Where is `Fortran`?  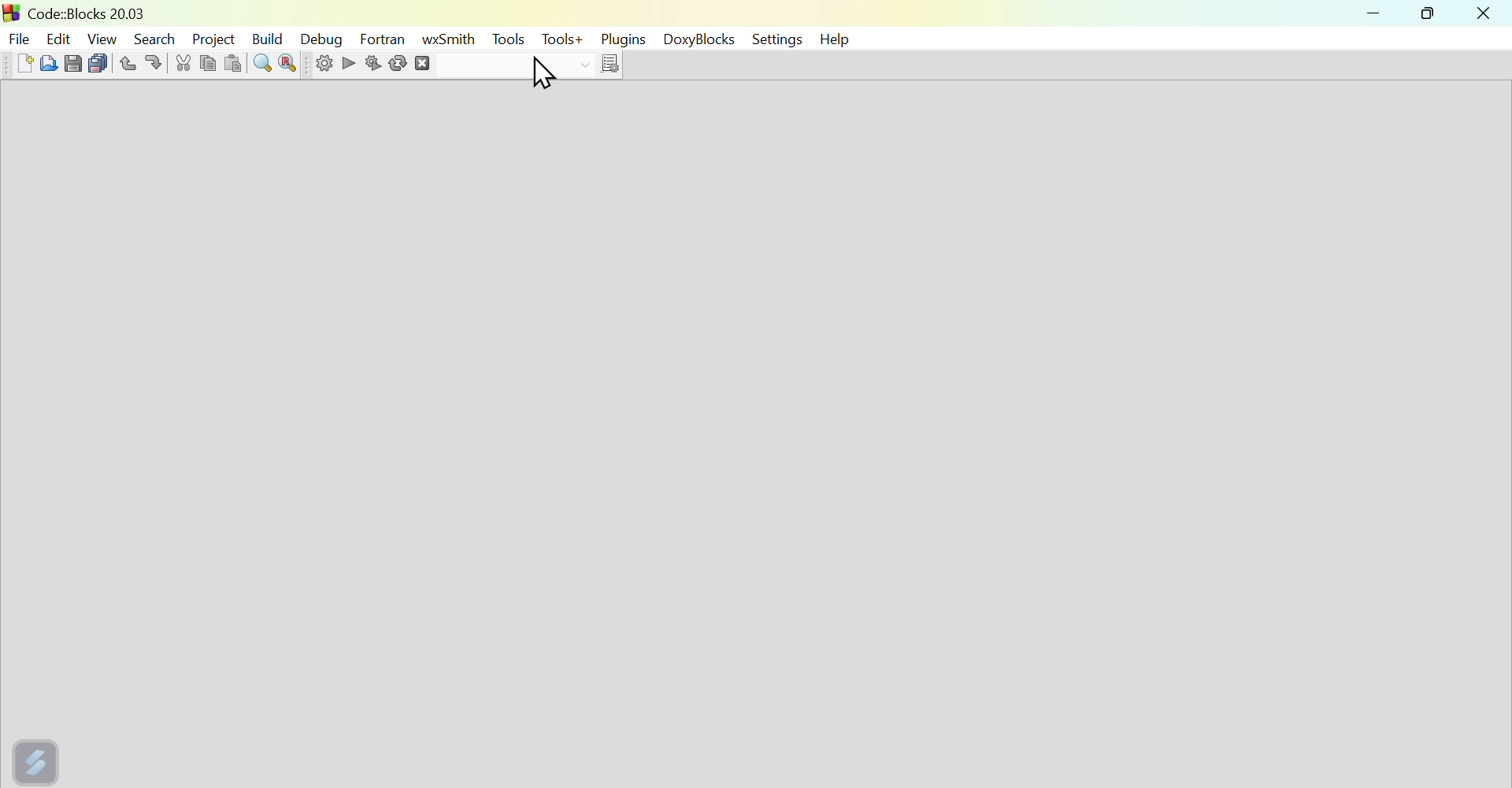 Fortran is located at coordinates (383, 39).